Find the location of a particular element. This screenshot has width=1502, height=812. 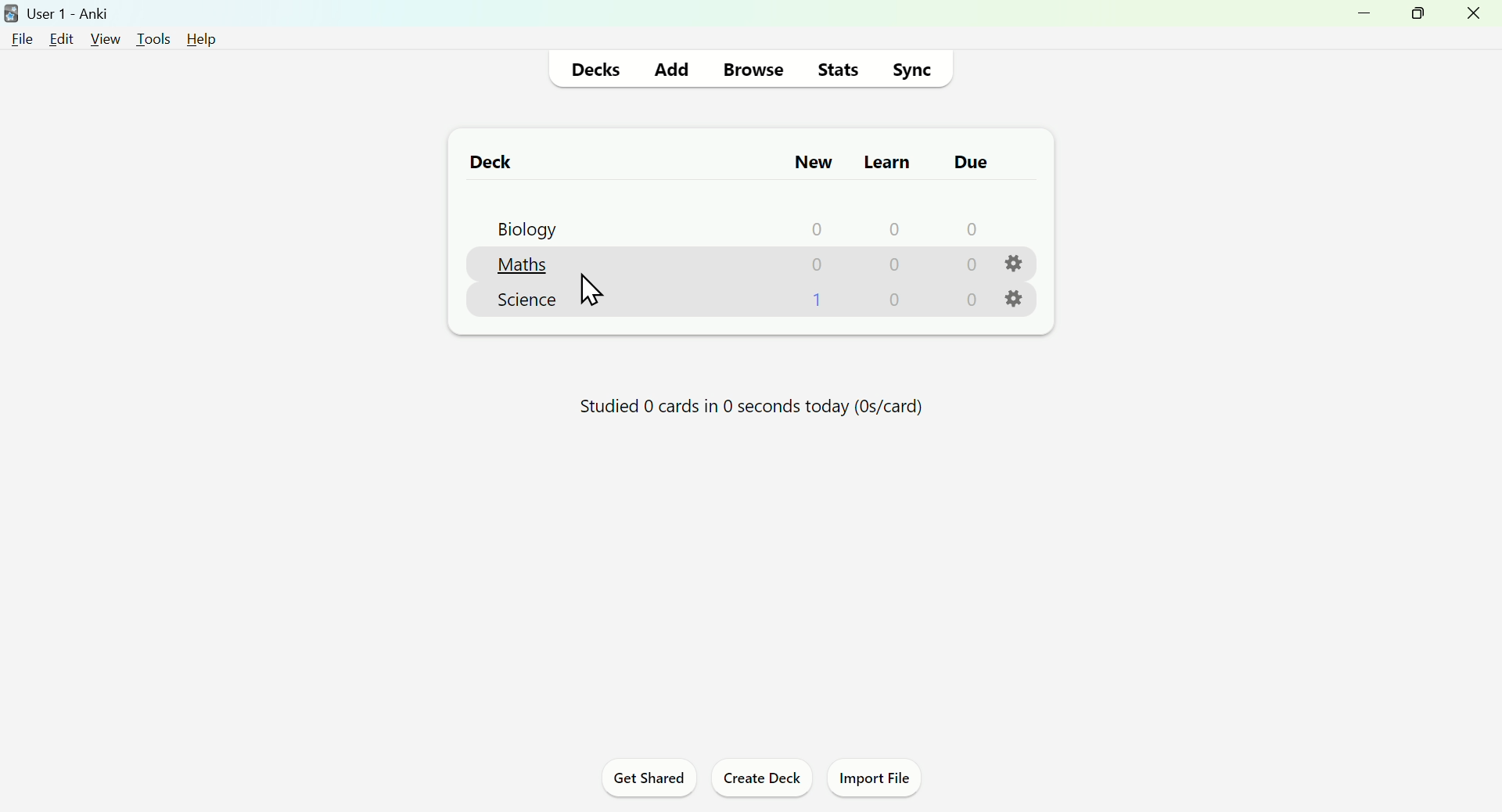

Close is located at coordinates (1476, 18).